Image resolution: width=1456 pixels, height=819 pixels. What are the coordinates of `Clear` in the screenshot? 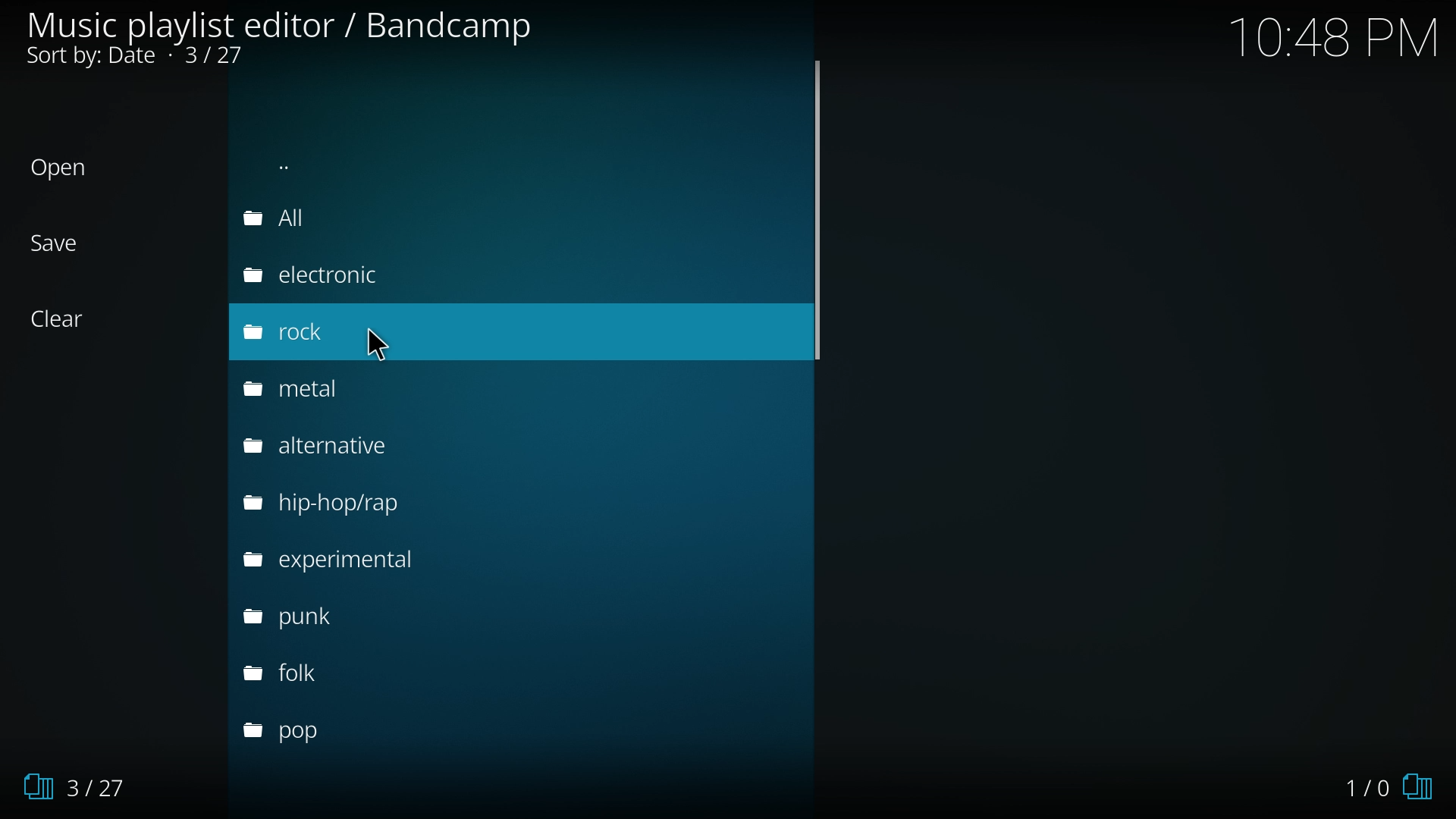 It's located at (71, 319).